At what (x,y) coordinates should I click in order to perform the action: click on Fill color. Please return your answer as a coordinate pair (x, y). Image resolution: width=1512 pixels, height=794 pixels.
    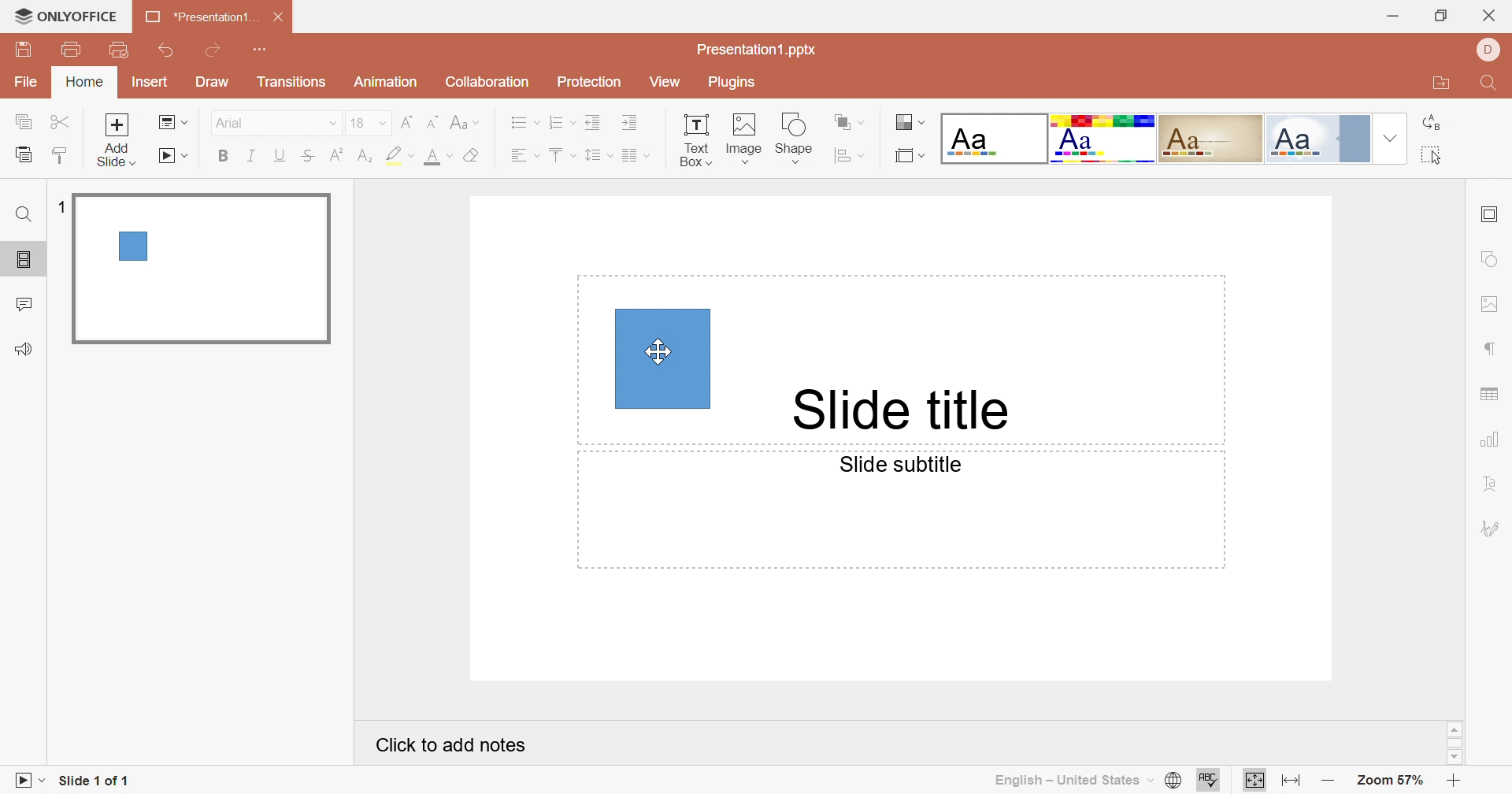
    Looking at the image, I should click on (469, 157).